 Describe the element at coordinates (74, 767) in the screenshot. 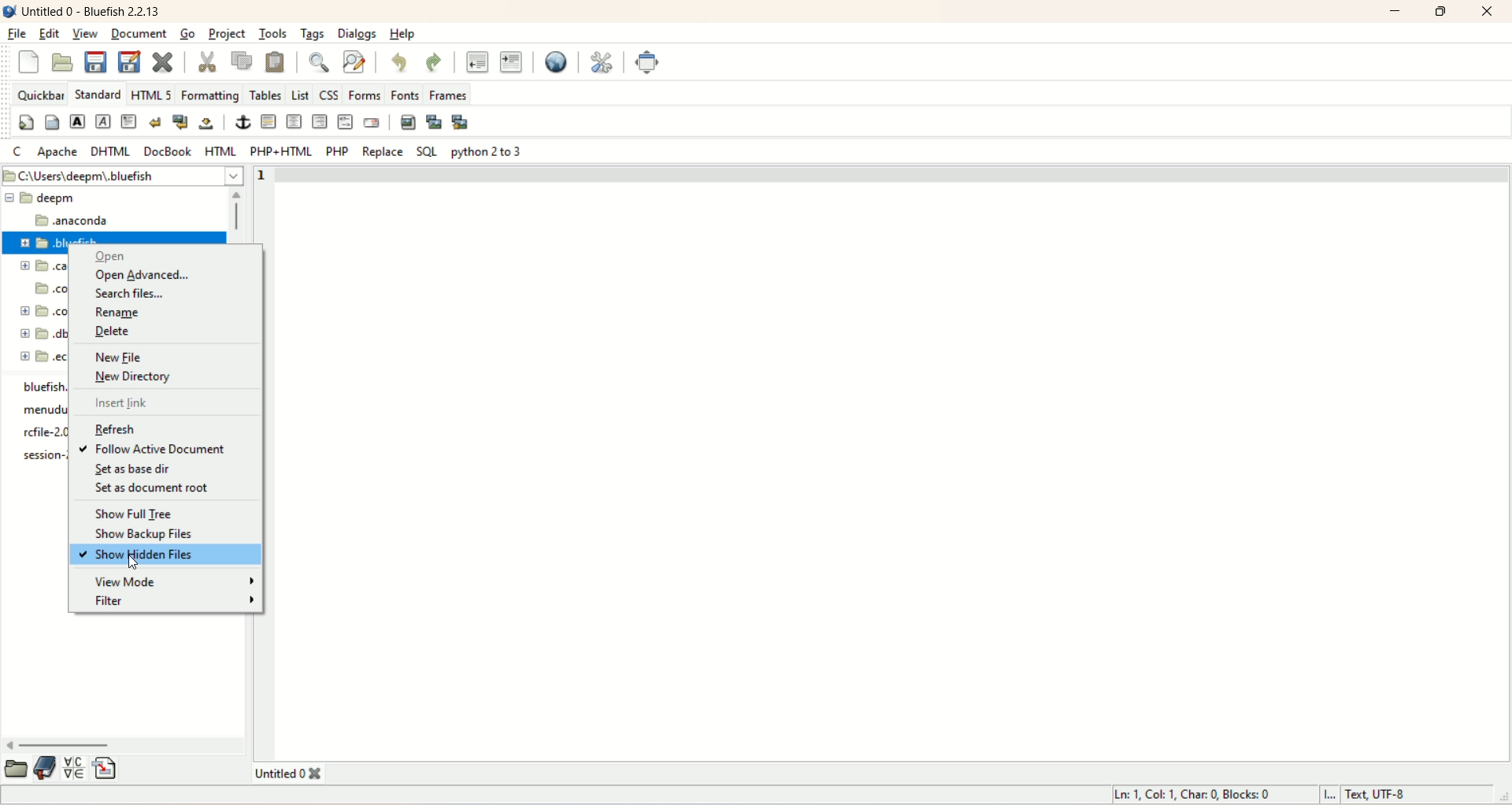

I see `insert special character` at that location.